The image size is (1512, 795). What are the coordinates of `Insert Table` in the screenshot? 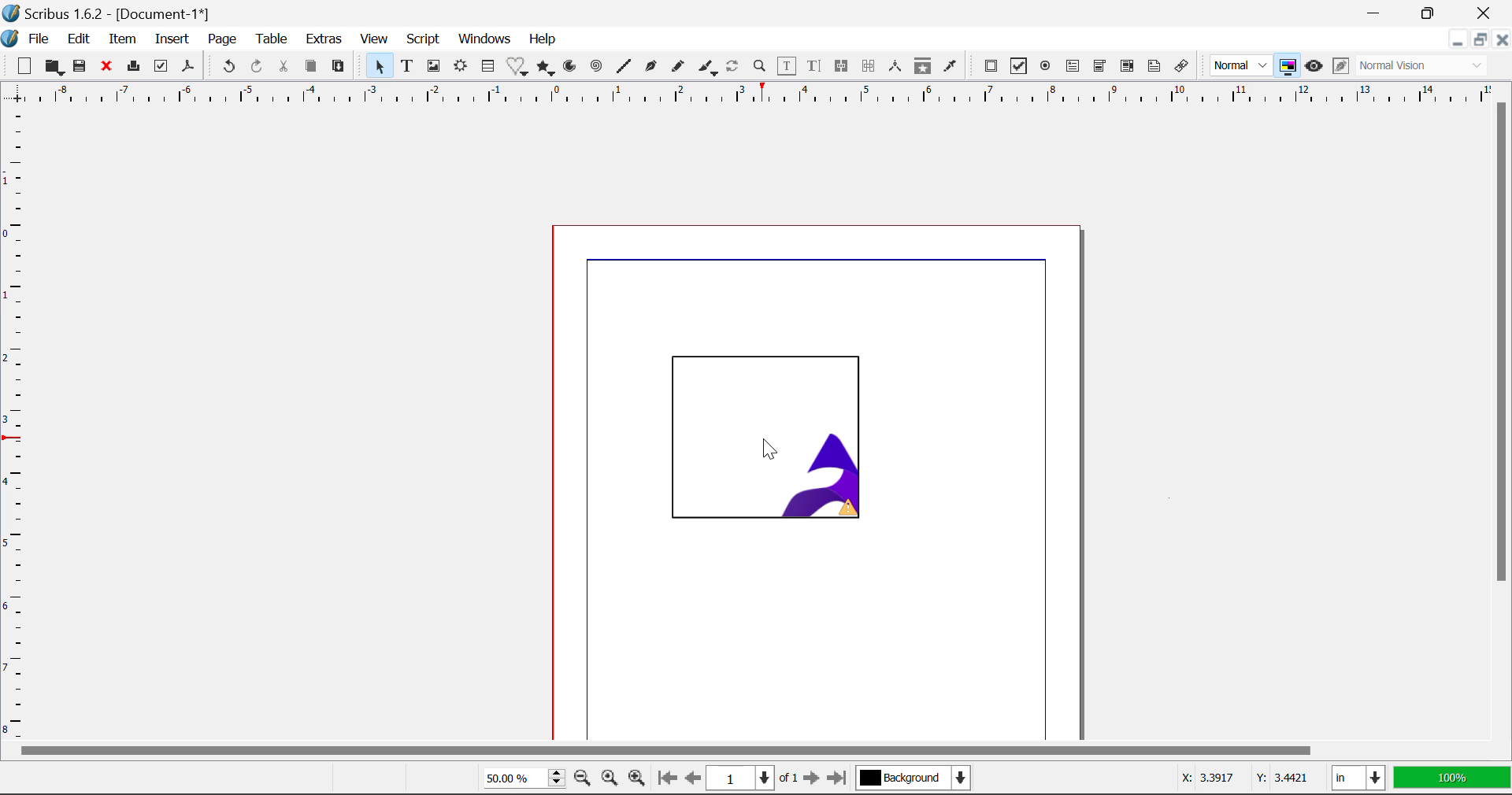 It's located at (490, 66).